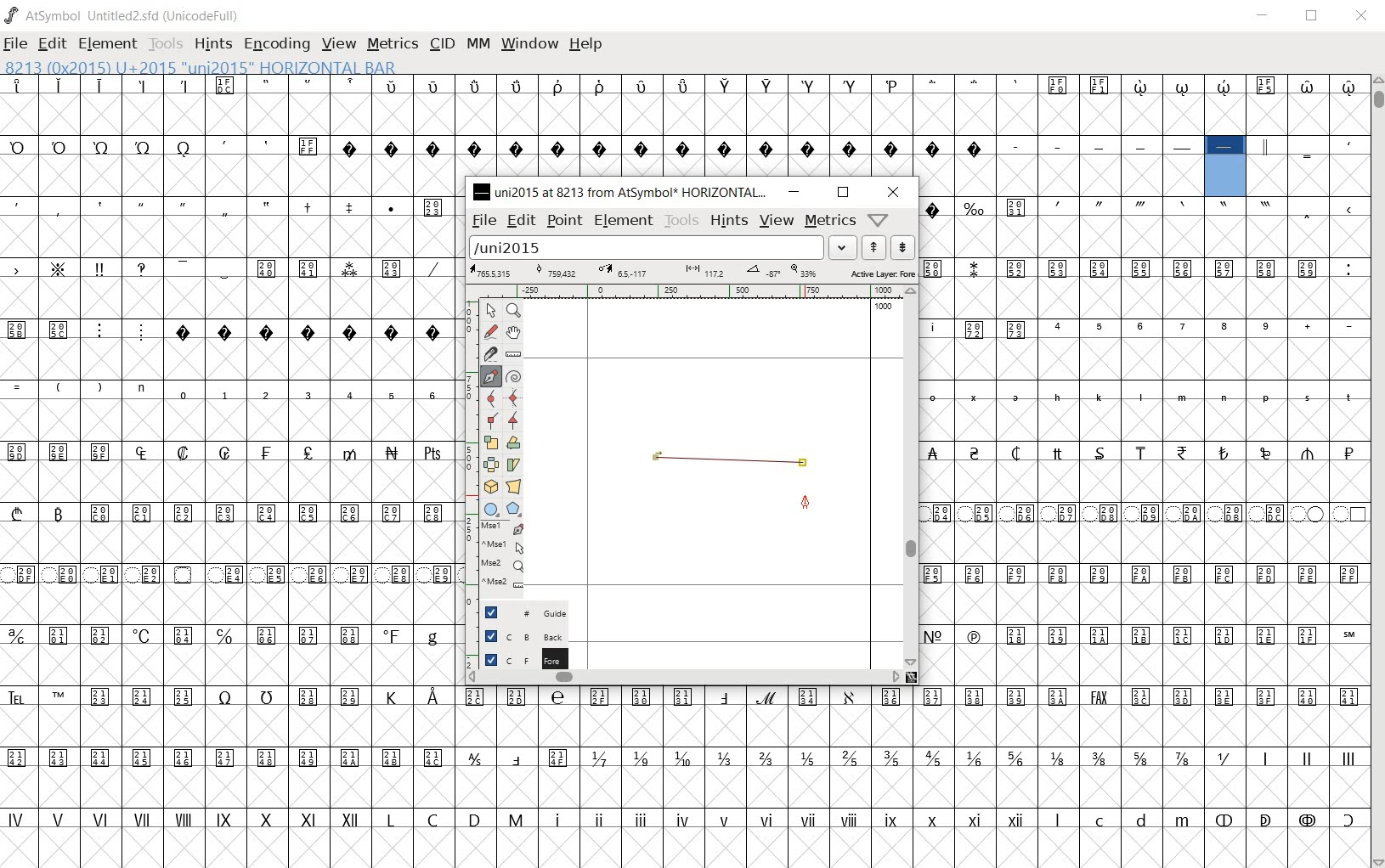  What do you see at coordinates (514, 354) in the screenshot?
I see `measure a distance, angle between points` at bounding box center [514, 354].